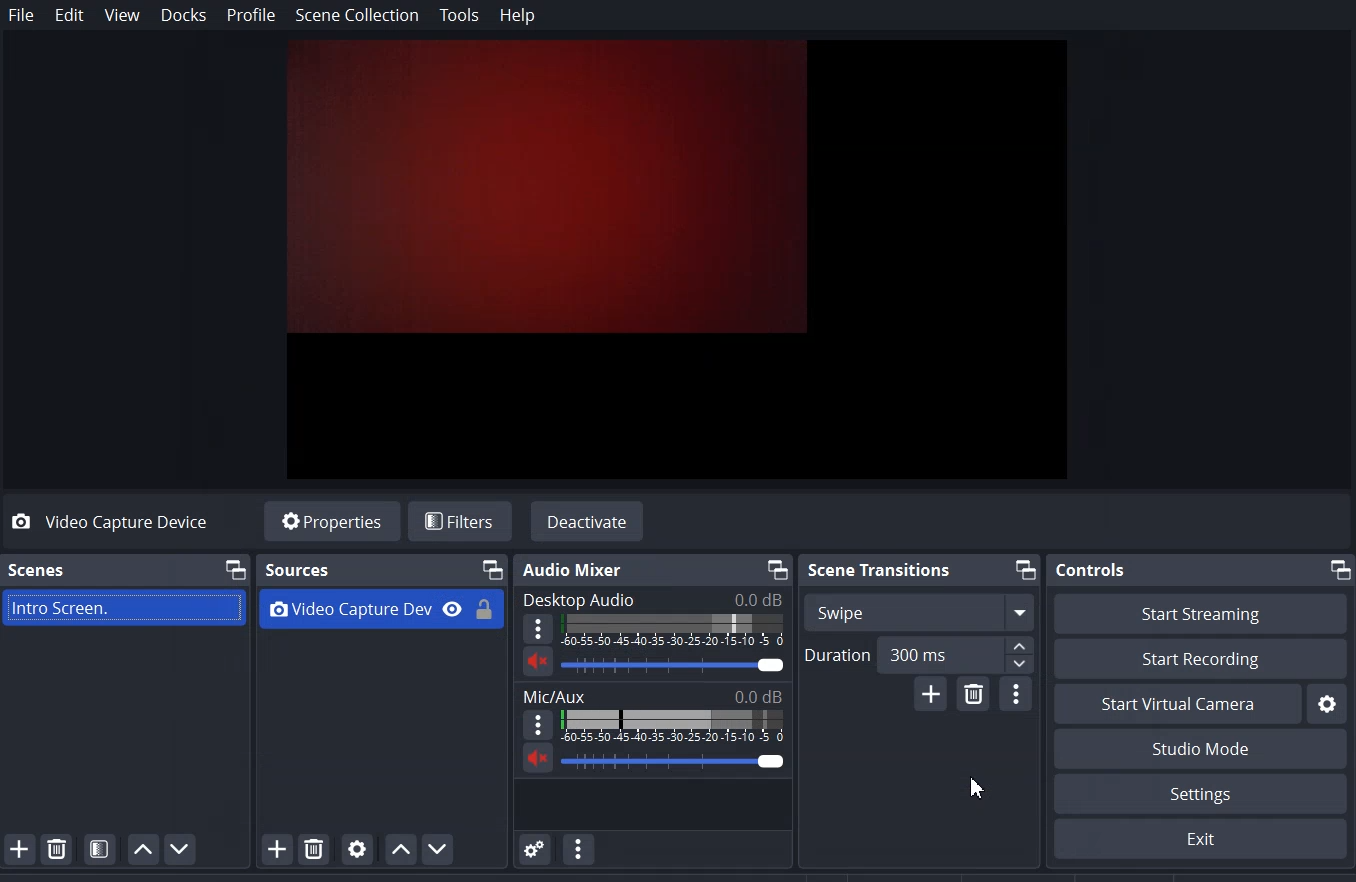  Describe the element at coordinates (1199, 839) in the screenshot. I see `Settings` at that location.